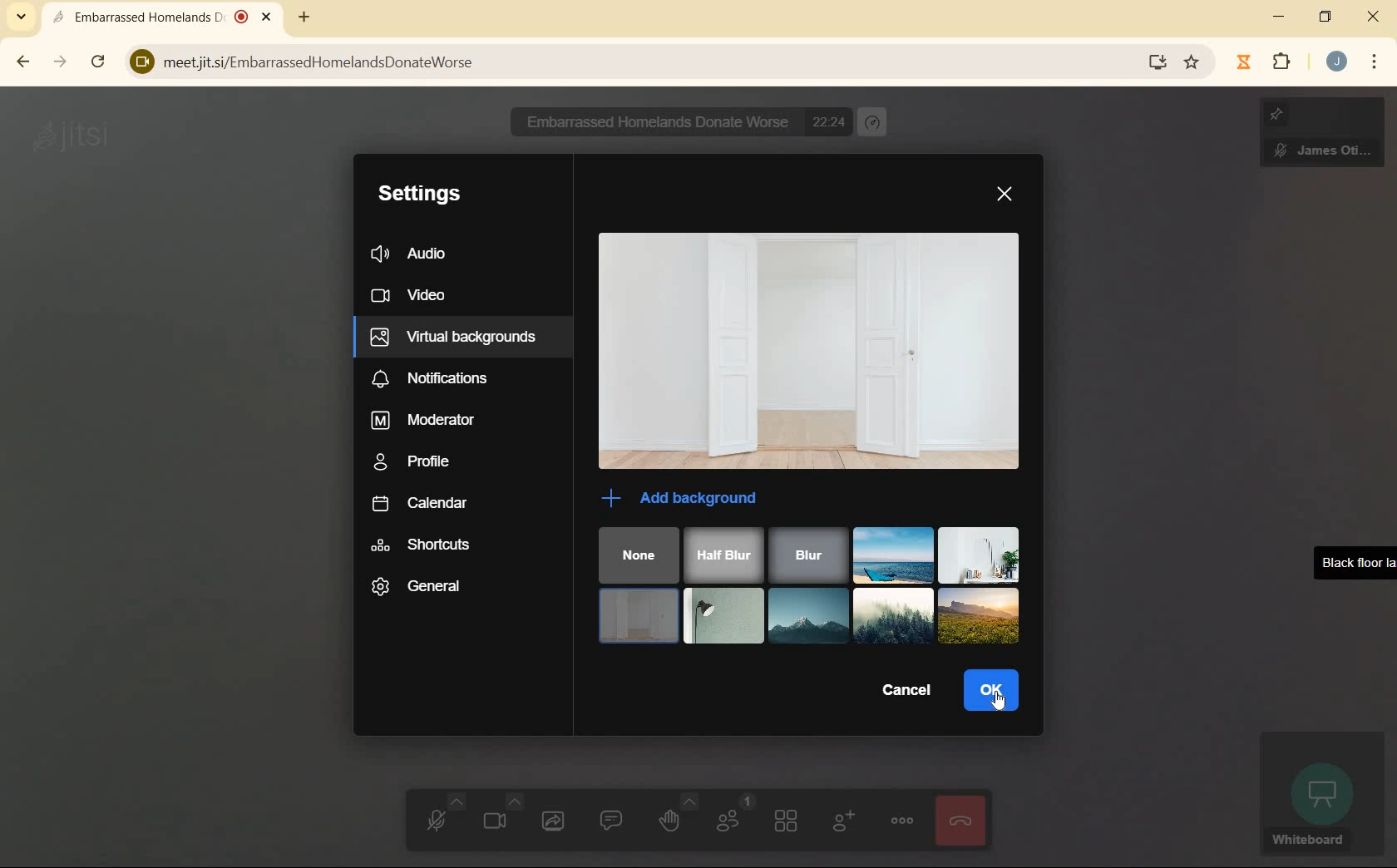  I want to click on performance settings, so click(874, 121).